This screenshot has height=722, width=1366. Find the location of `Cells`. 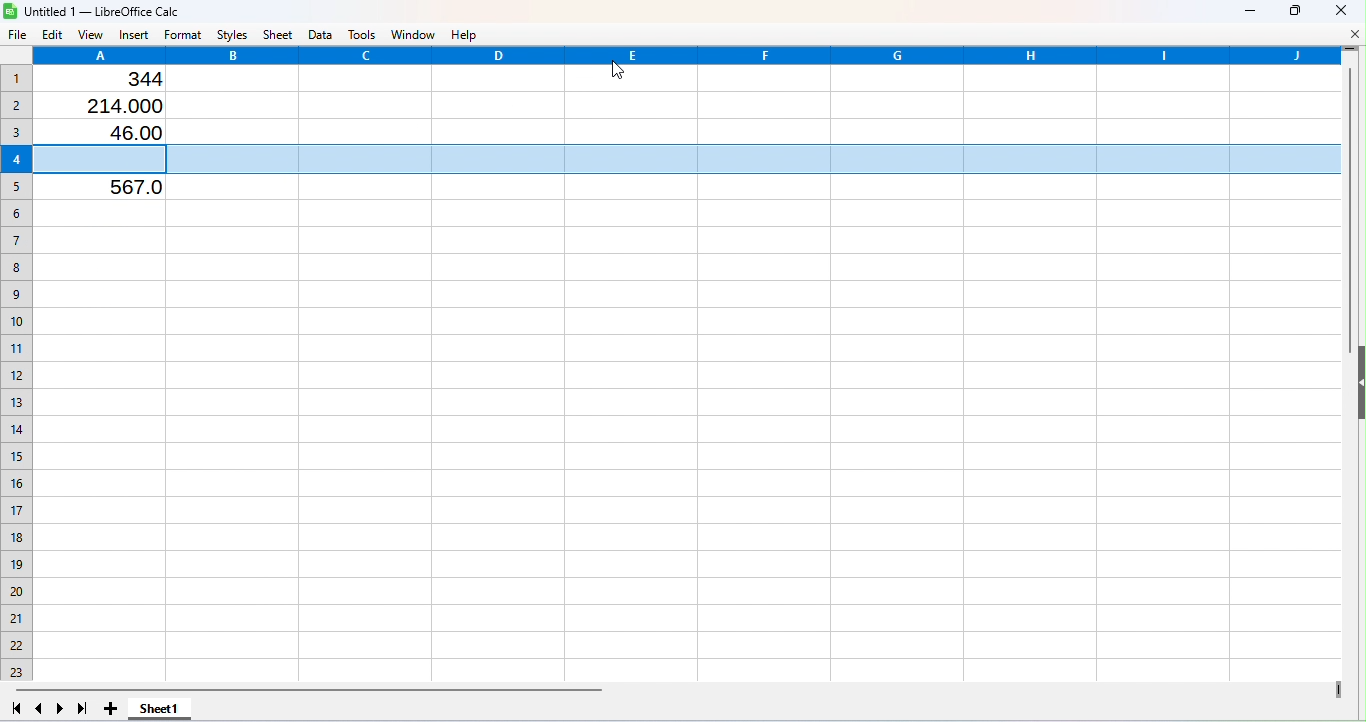

Cells is located at coordinates (685, 437).